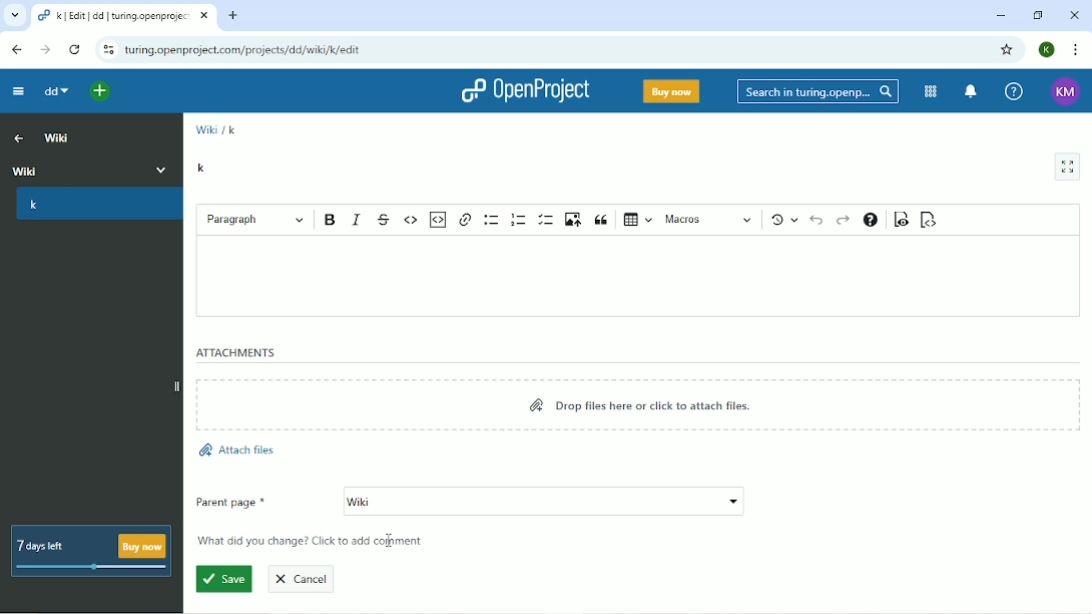 The width and height of the screenshot is (1092, 614). I want to click on k, so click(96, 207).